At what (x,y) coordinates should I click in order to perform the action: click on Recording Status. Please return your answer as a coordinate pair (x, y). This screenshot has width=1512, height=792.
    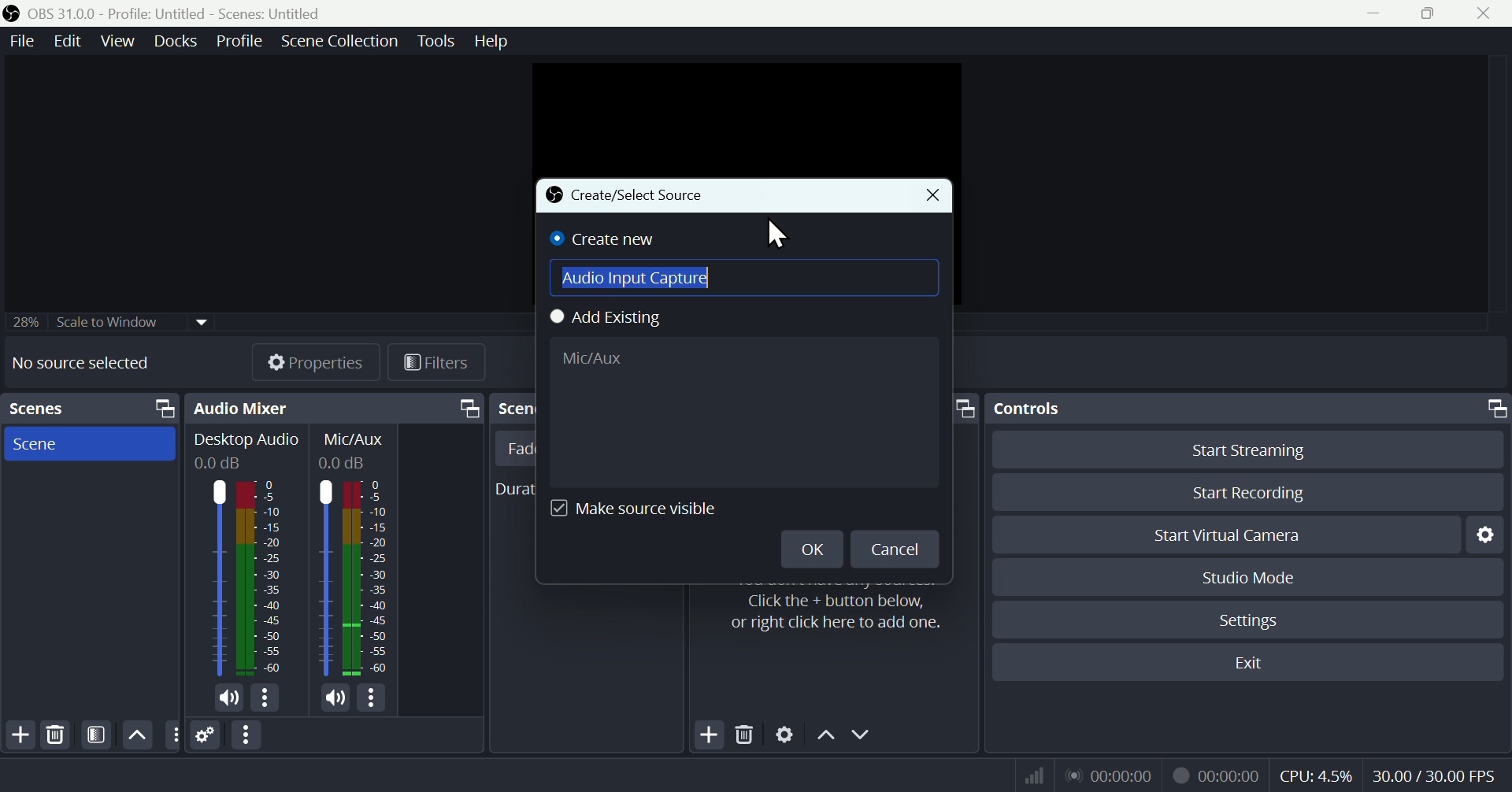
    Looking at the image, I should click on (1217, 775).